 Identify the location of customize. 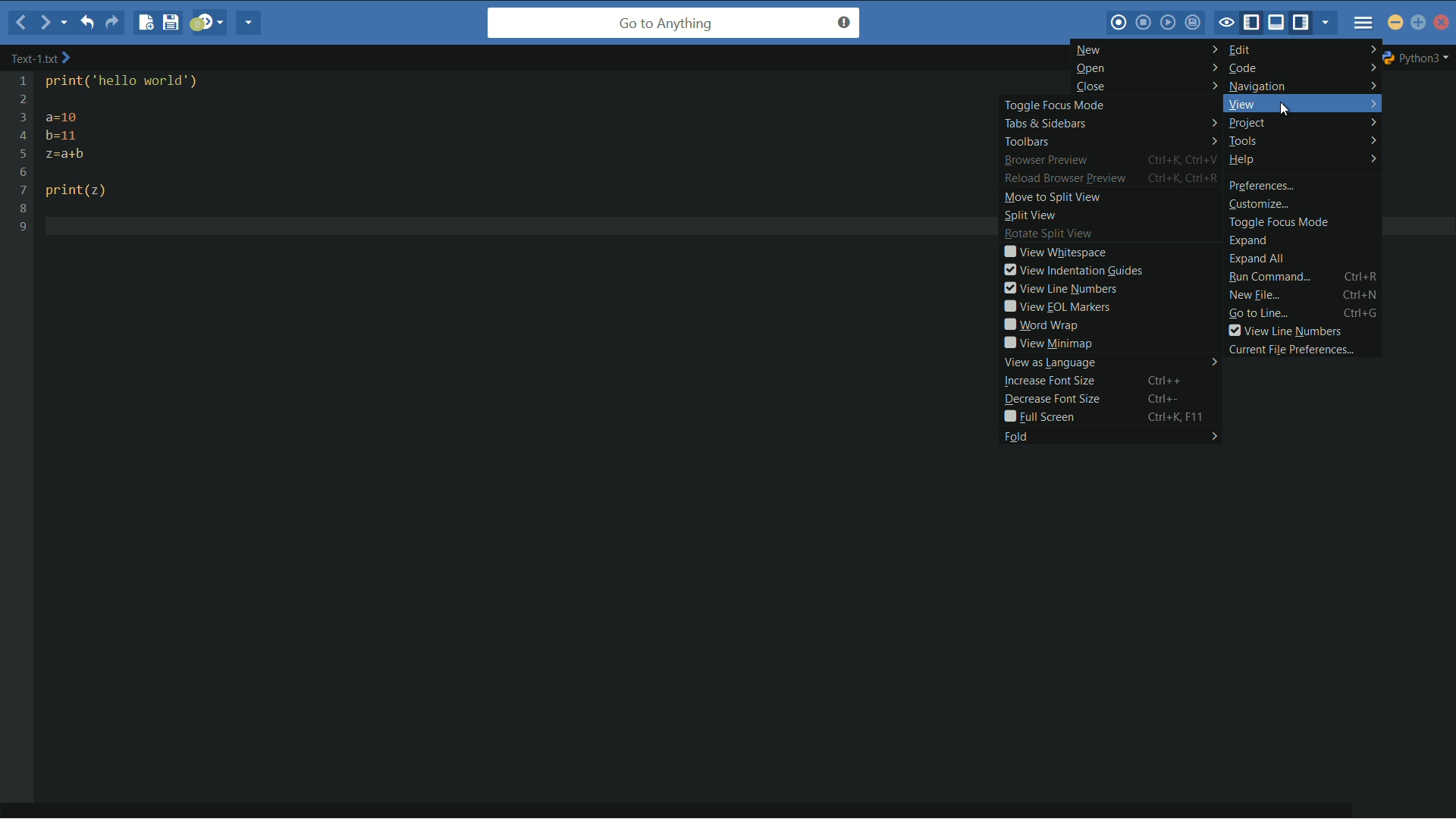
(1261, 203).